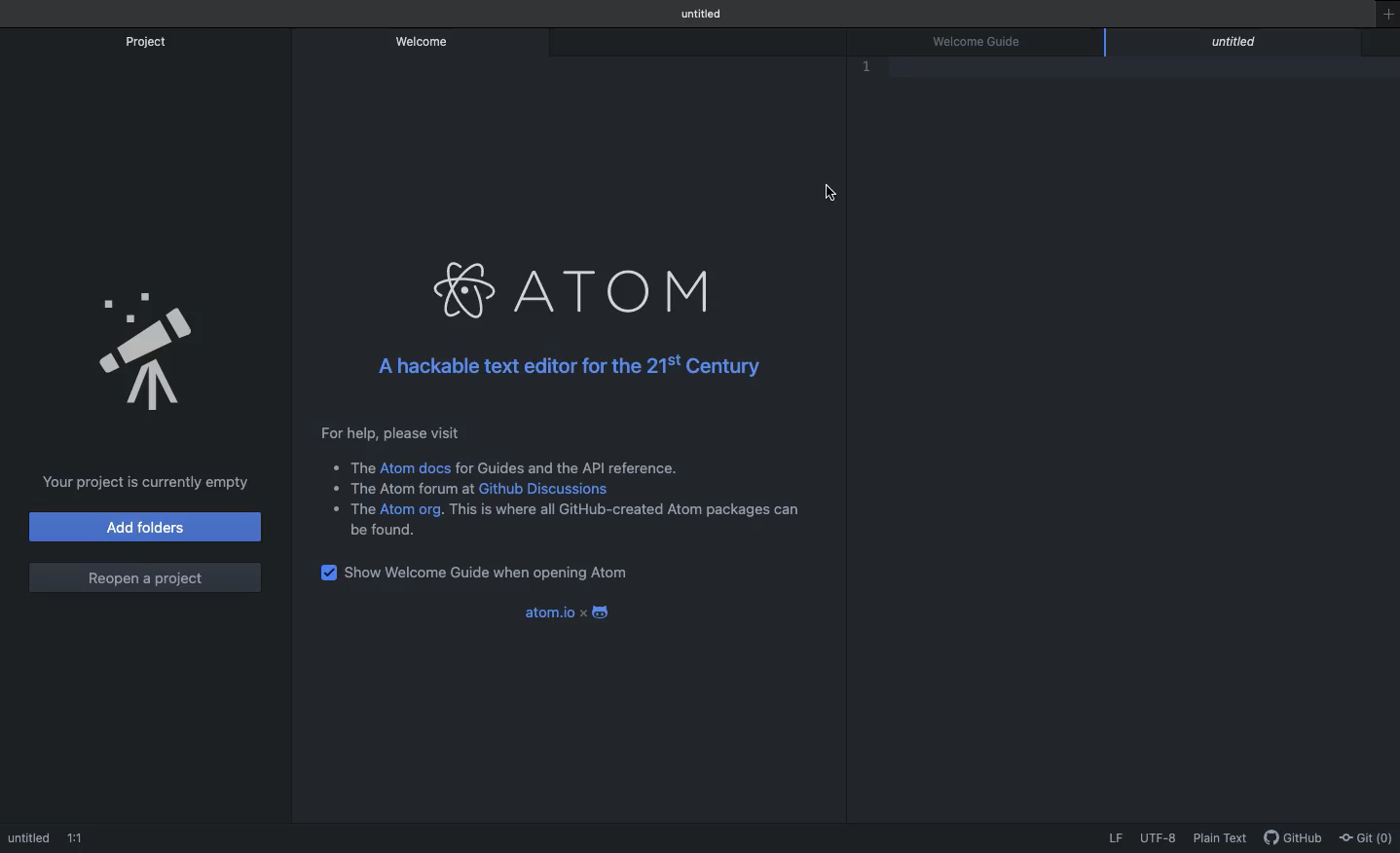 The height and width of the screenshot is (853, 1400). What do you see at coordinates (1295, 834) in the screenshot?
I see `GitHub` at bounding box center [1295, 834].